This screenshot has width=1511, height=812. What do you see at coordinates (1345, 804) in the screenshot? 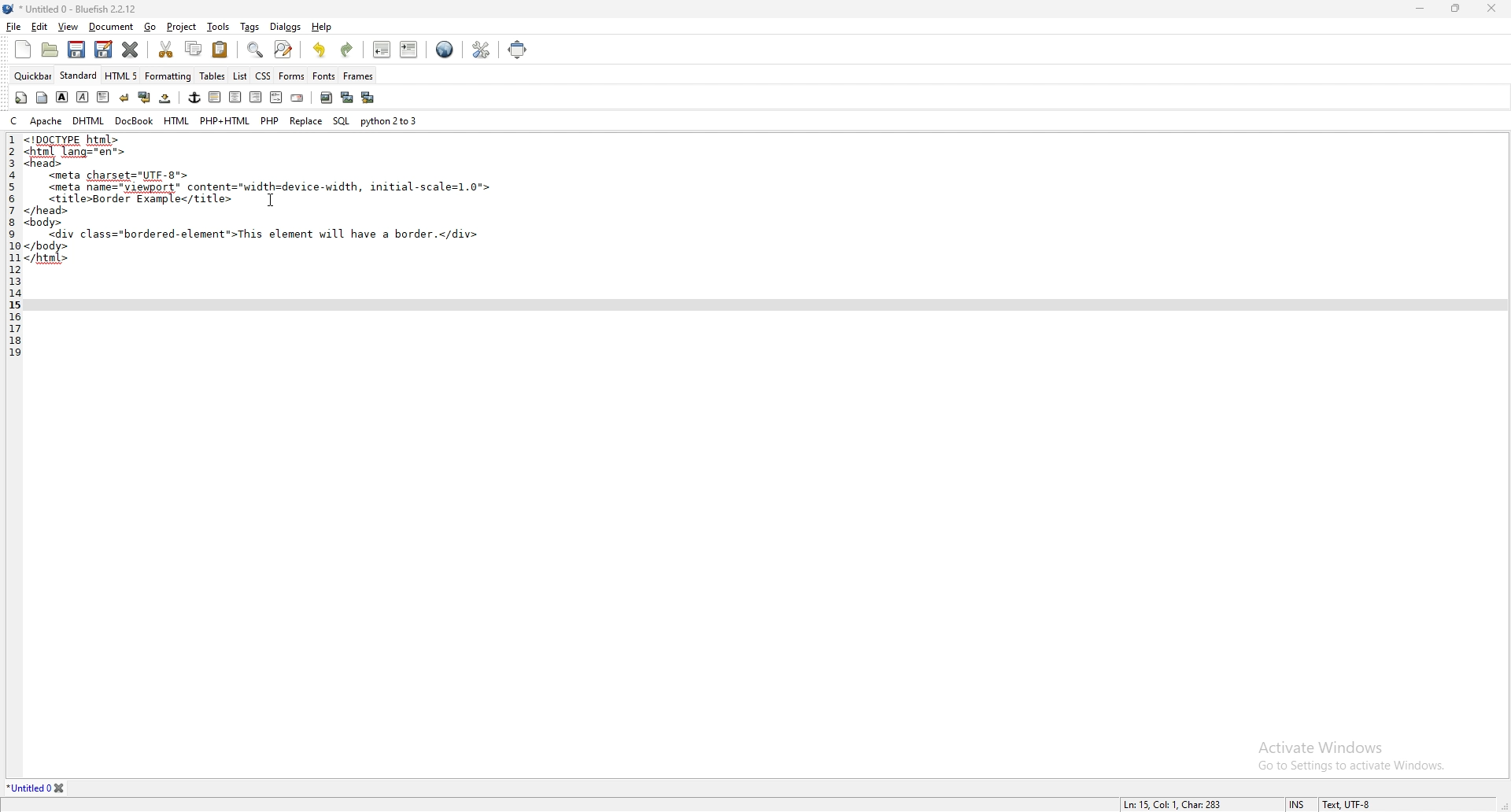
I see `Text, UTF-8` at bounding box center [1345, 804].